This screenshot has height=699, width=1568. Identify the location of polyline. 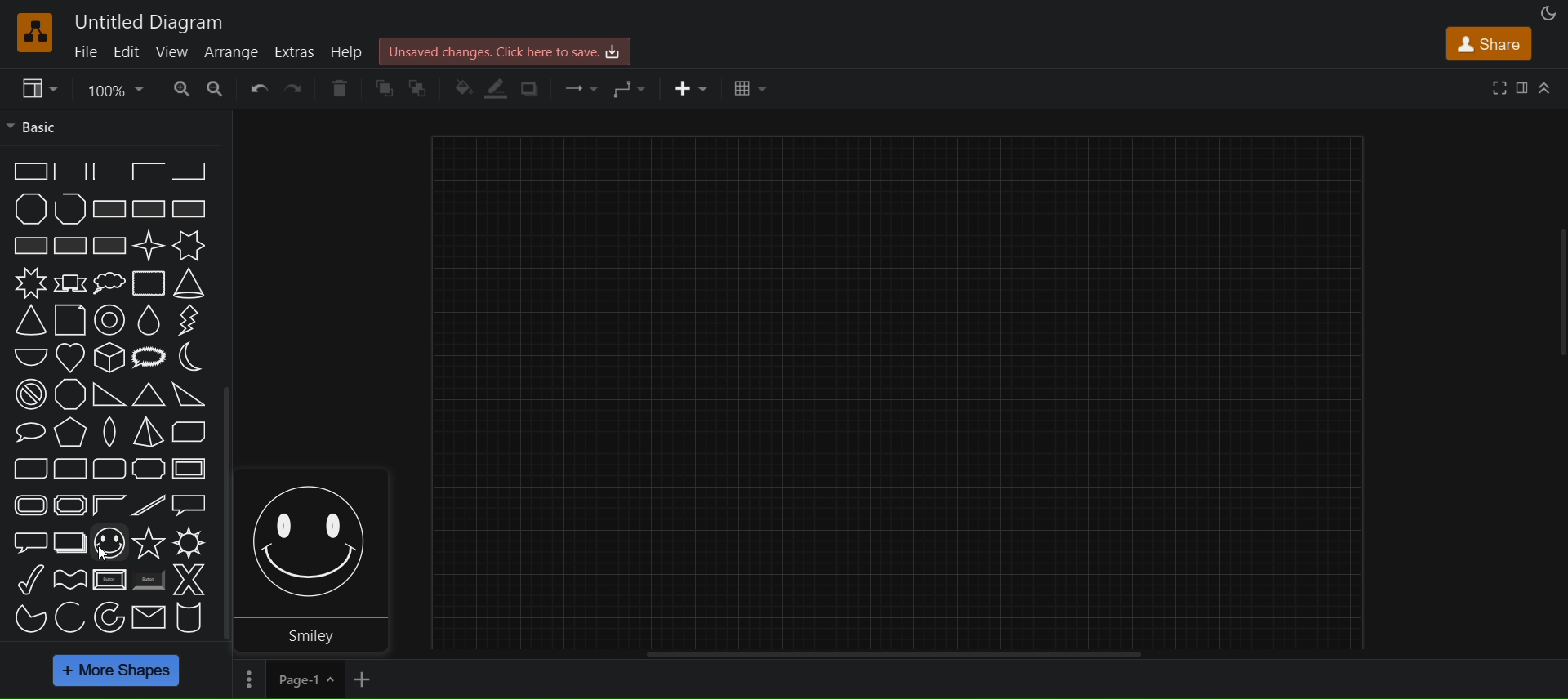
(70, 209).